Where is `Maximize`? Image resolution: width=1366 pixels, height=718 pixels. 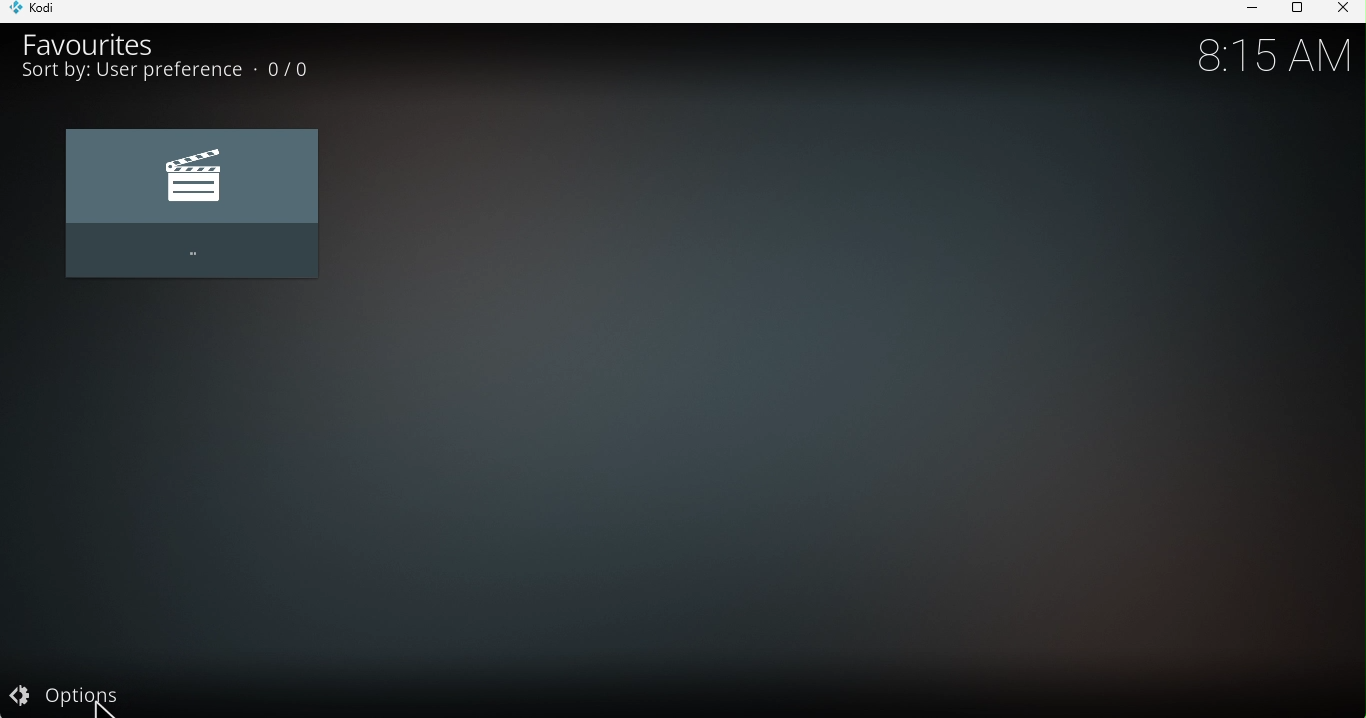 Maximize is located at coordinates (1294, 11).